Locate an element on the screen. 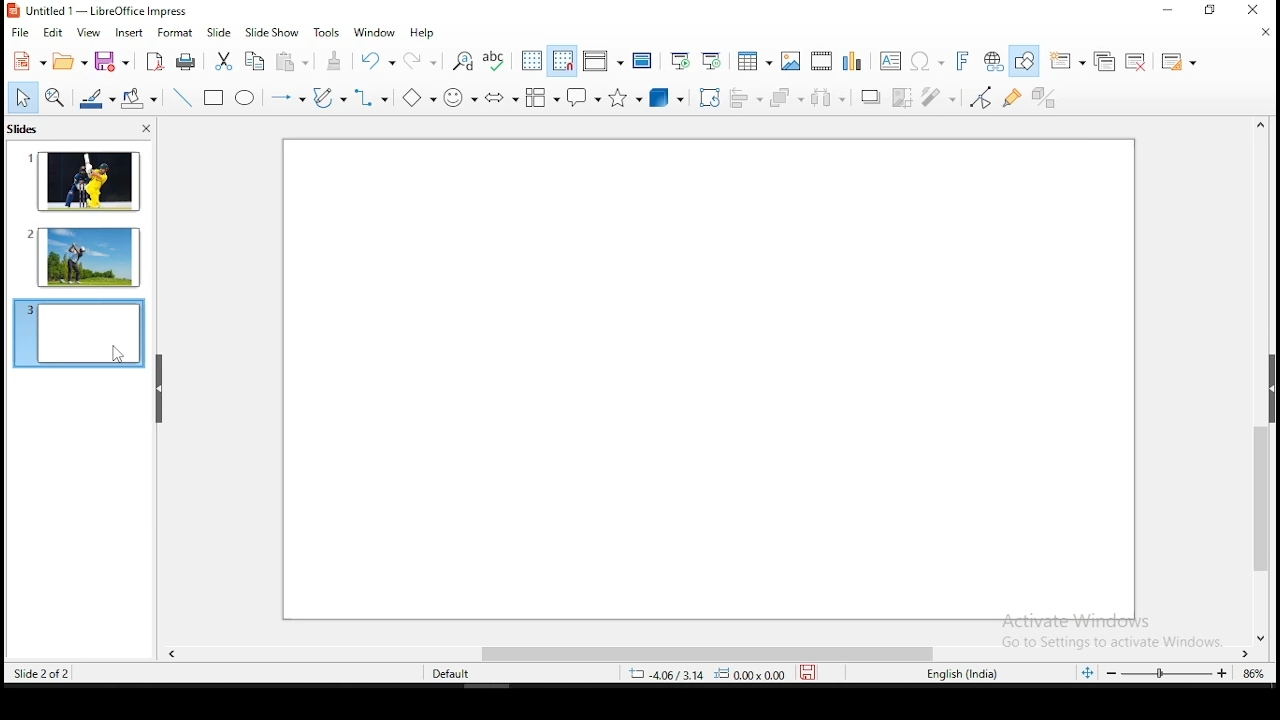 This screenshot has width=1280, height=720. mouse pointer is located at coordinates (116, 354).